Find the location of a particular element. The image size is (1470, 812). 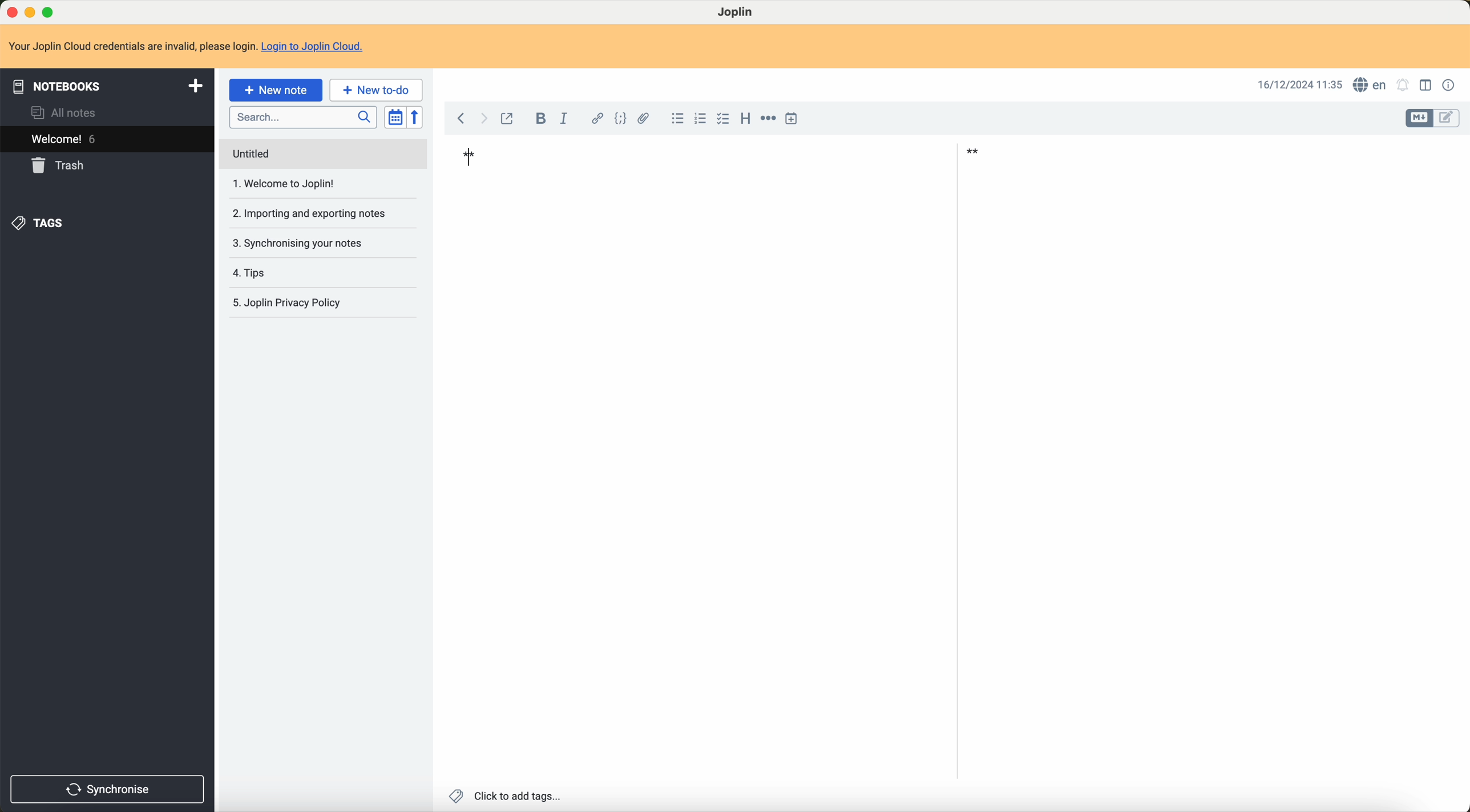

notebooks is located at coordinates (105, 85).